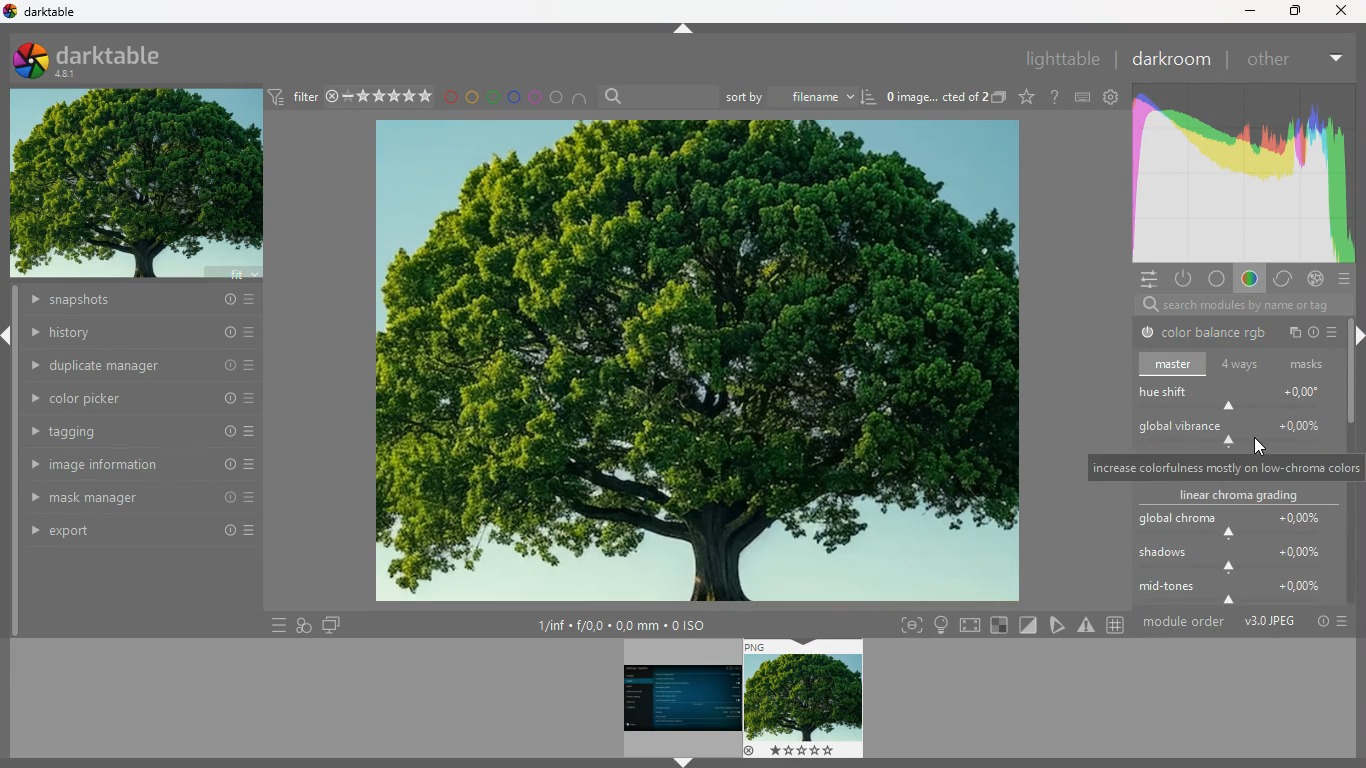  I want to click on more, so click(1335, 331).